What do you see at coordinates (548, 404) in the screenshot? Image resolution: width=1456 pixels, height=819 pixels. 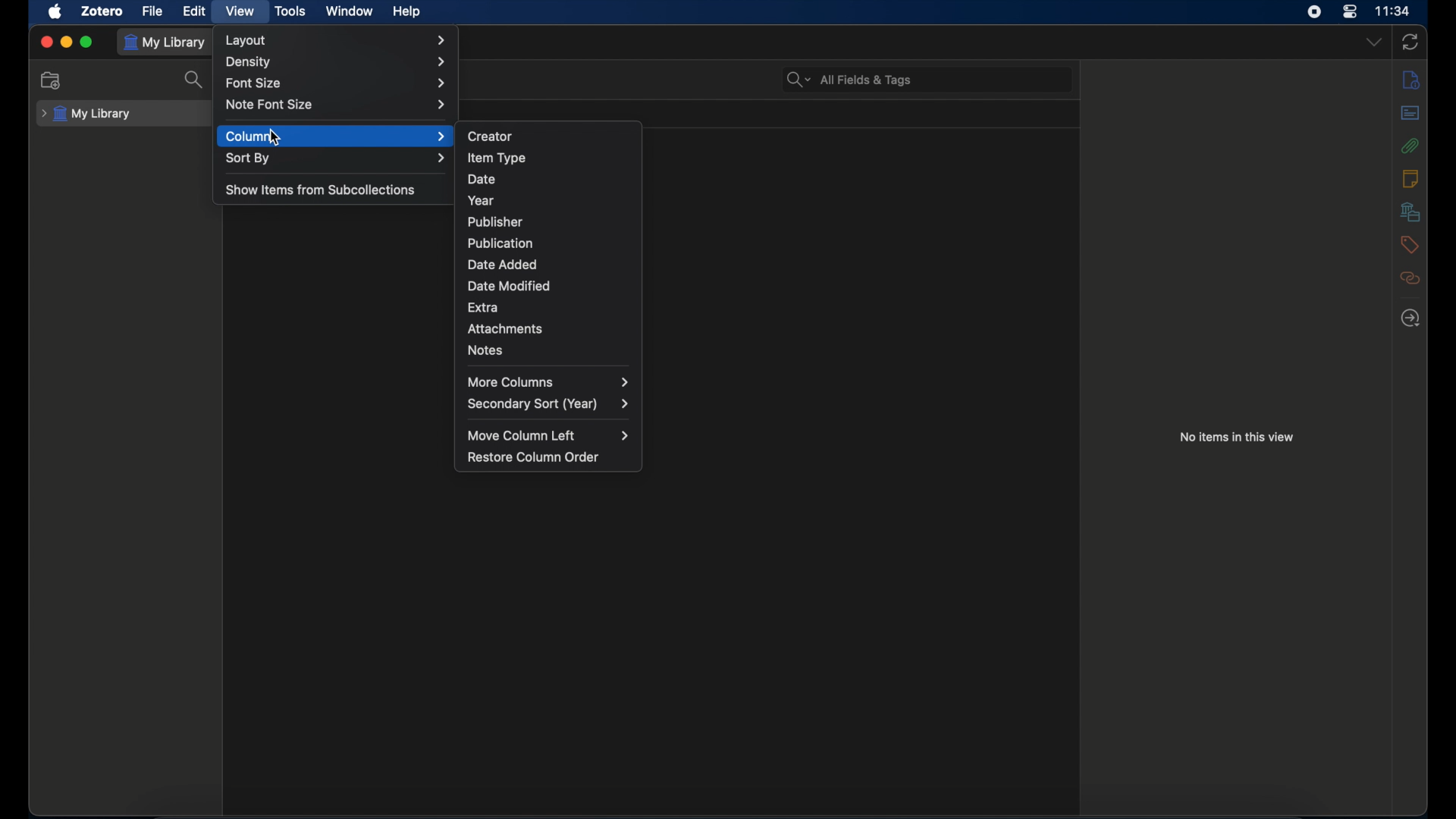 I see `secondary sort` at bounding box center [548, 404].